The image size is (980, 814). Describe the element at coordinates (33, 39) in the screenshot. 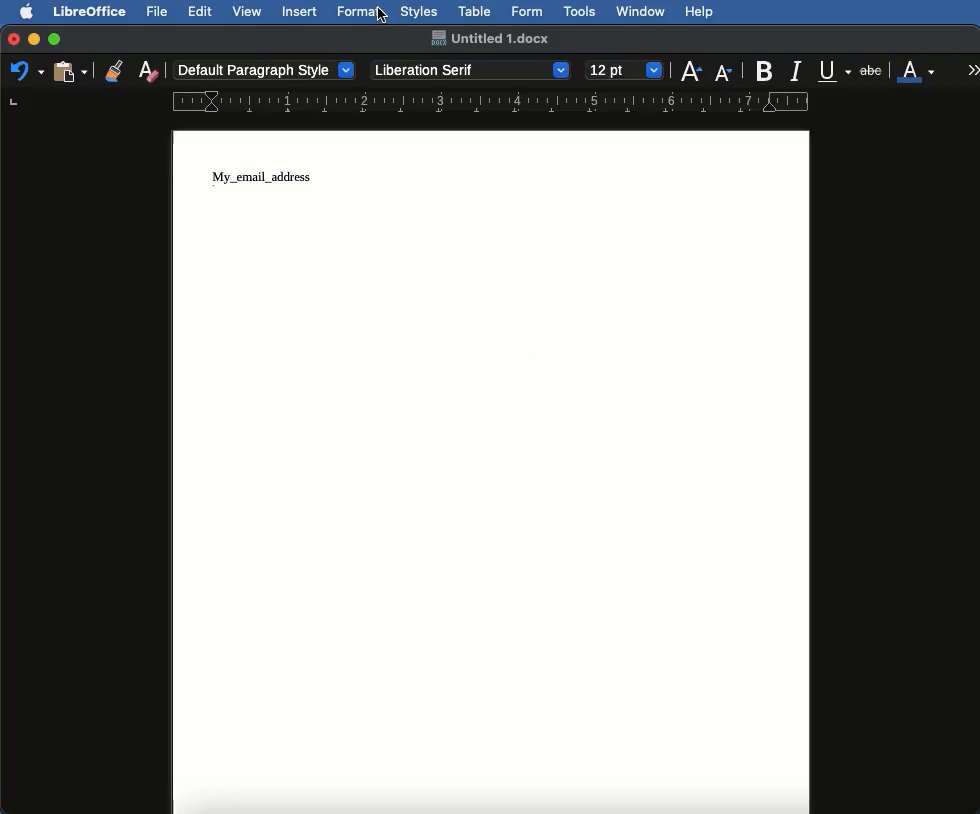

I see `Minimize` at that location.